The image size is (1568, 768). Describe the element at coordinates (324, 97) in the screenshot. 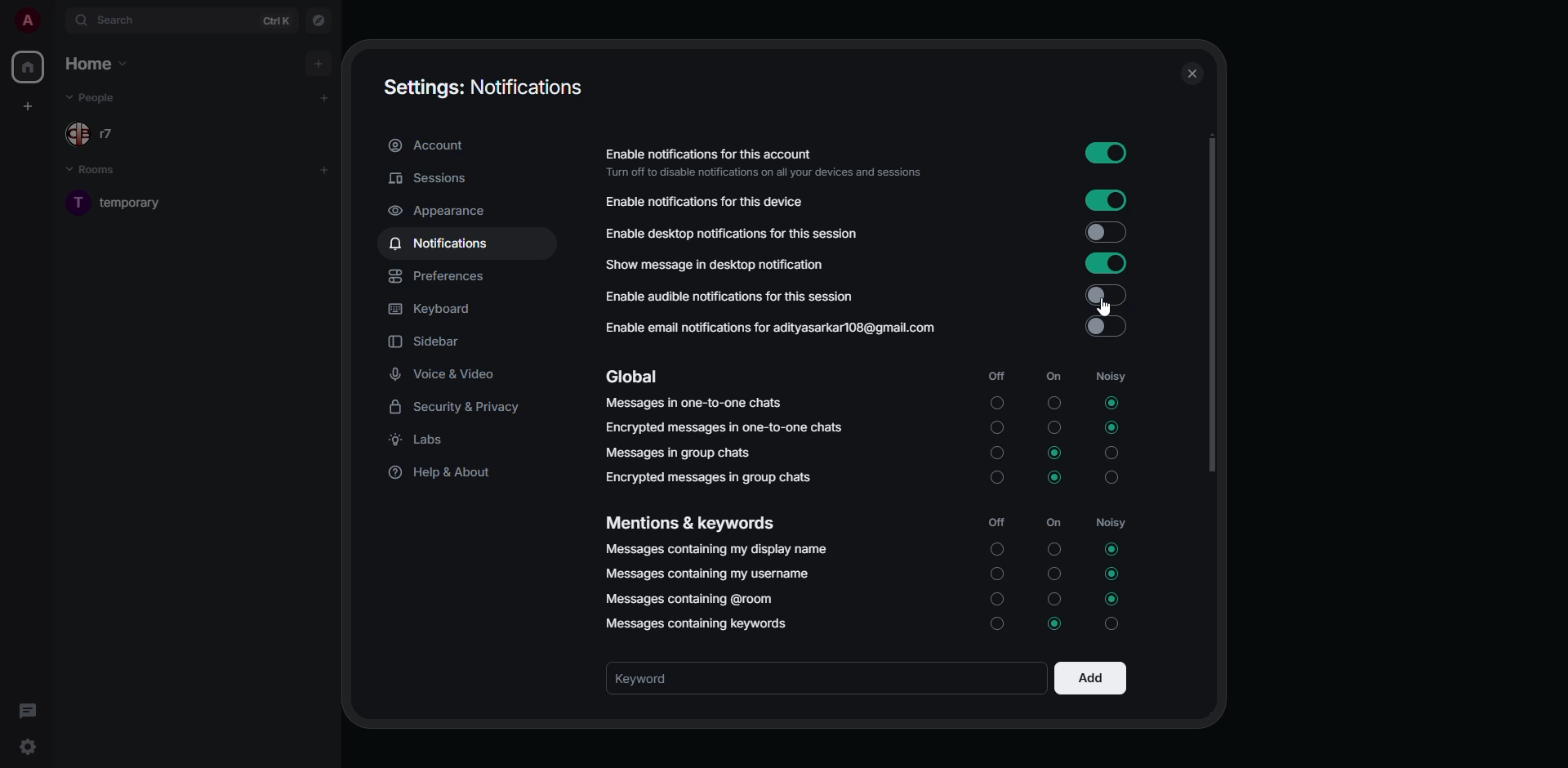

I see `add` at that location.